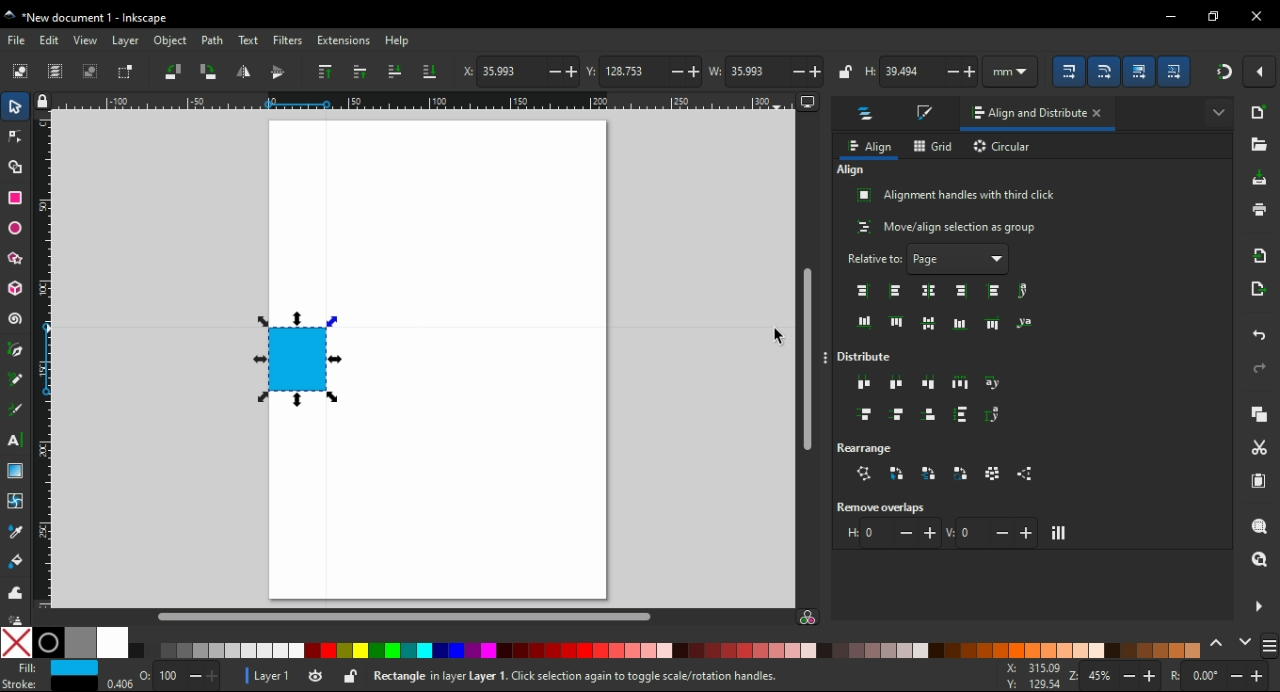  I want to click on distribute vertically with even vertical gaps, so click(966, 415).